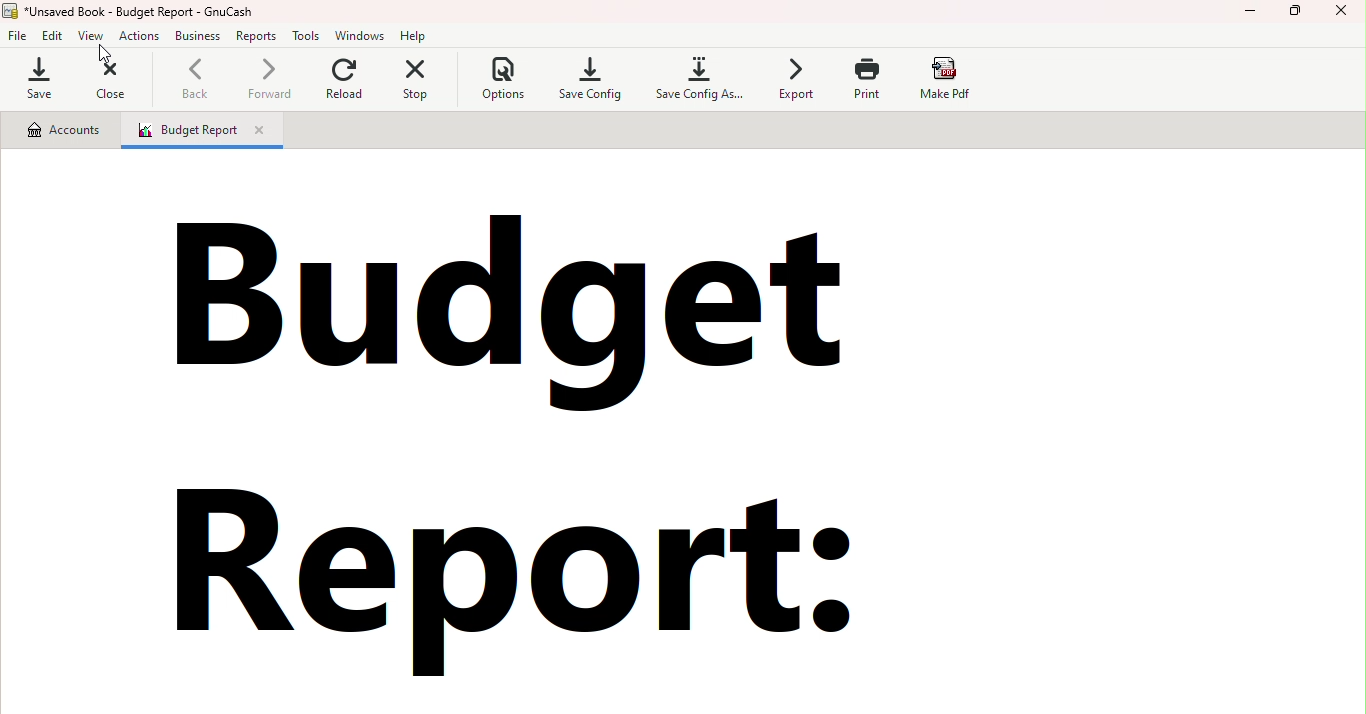 This screenshot has width=1366, height=714. Describe the element at coordinates (52, 34) in the screenshot. I see `edit` at that location.